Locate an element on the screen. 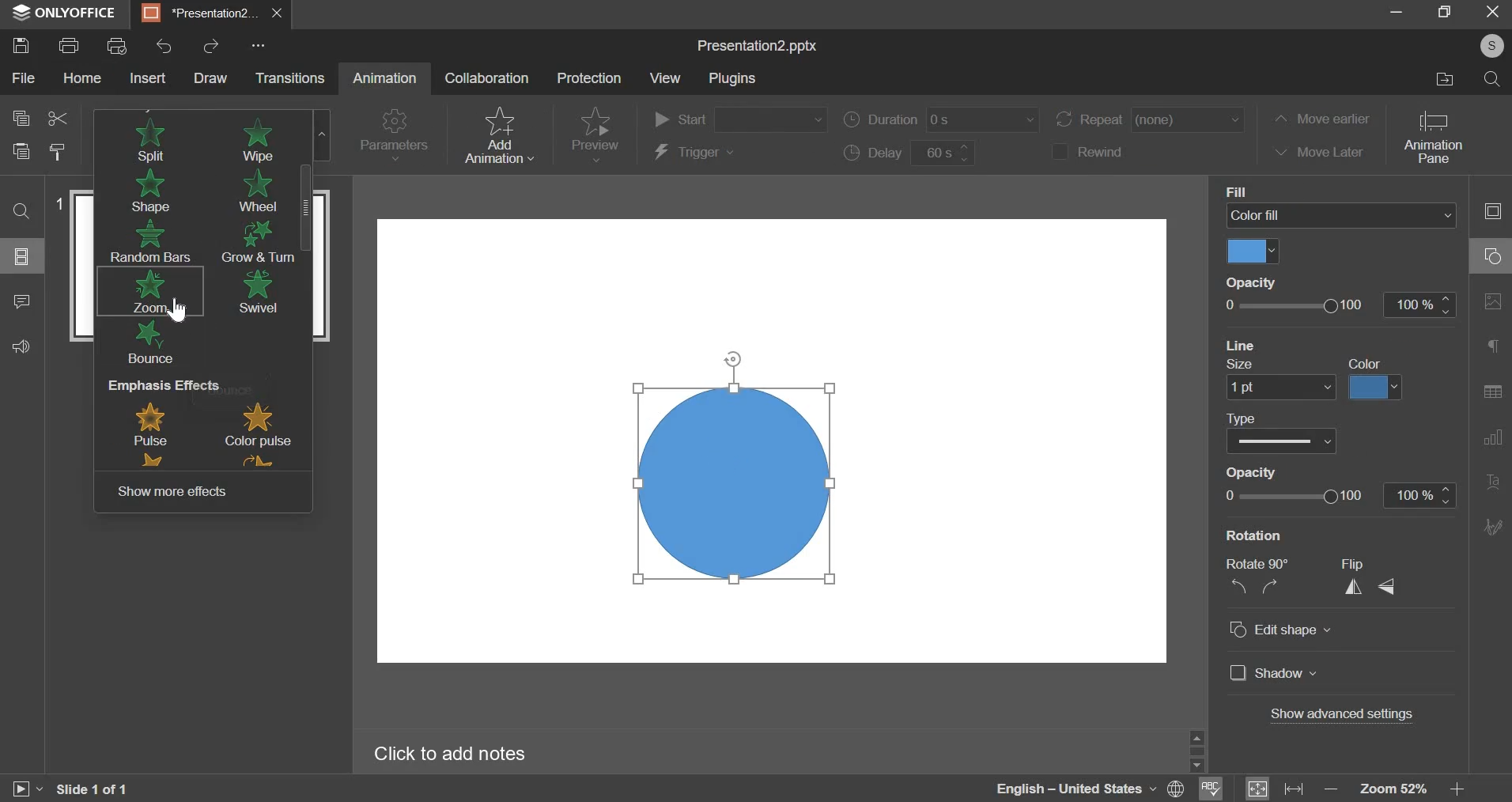  Click to add notes is located at coordinates (482, 754).